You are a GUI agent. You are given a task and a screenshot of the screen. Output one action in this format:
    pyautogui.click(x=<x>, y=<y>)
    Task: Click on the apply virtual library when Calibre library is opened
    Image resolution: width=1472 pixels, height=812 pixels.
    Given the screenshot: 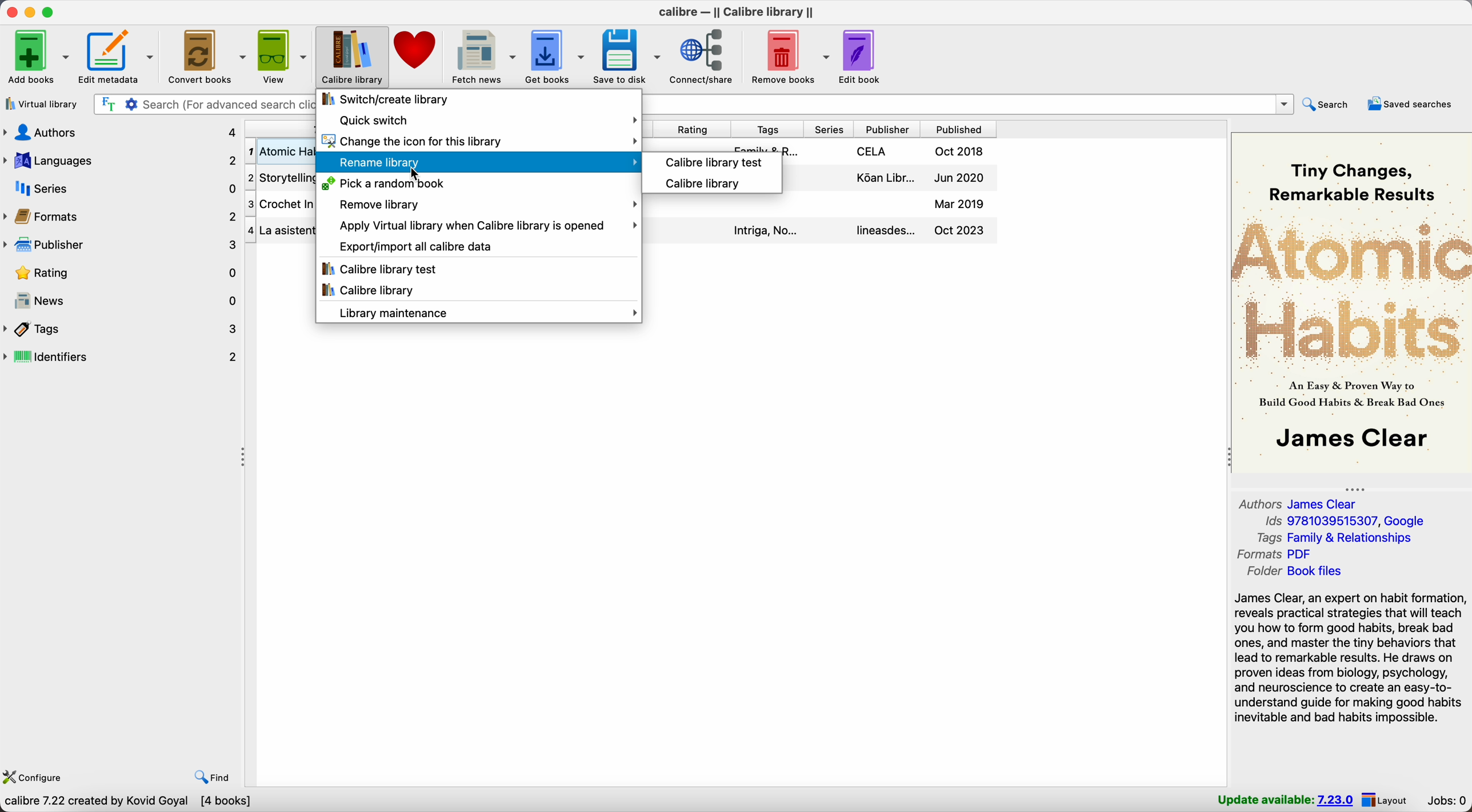 What is the action you would take?
    pyautogui.click(x=486, y=226)
    